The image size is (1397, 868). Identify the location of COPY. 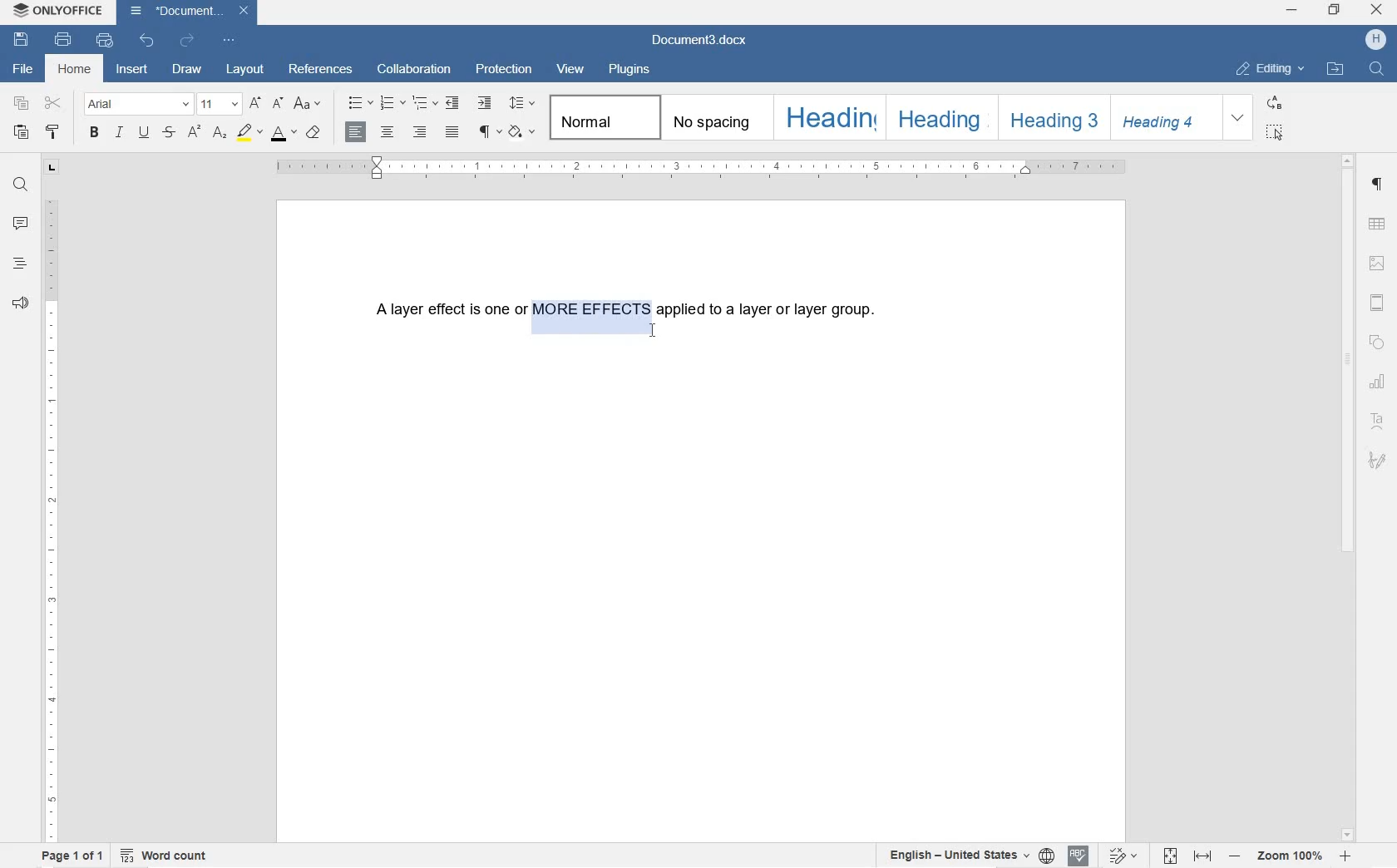
(23, 104).